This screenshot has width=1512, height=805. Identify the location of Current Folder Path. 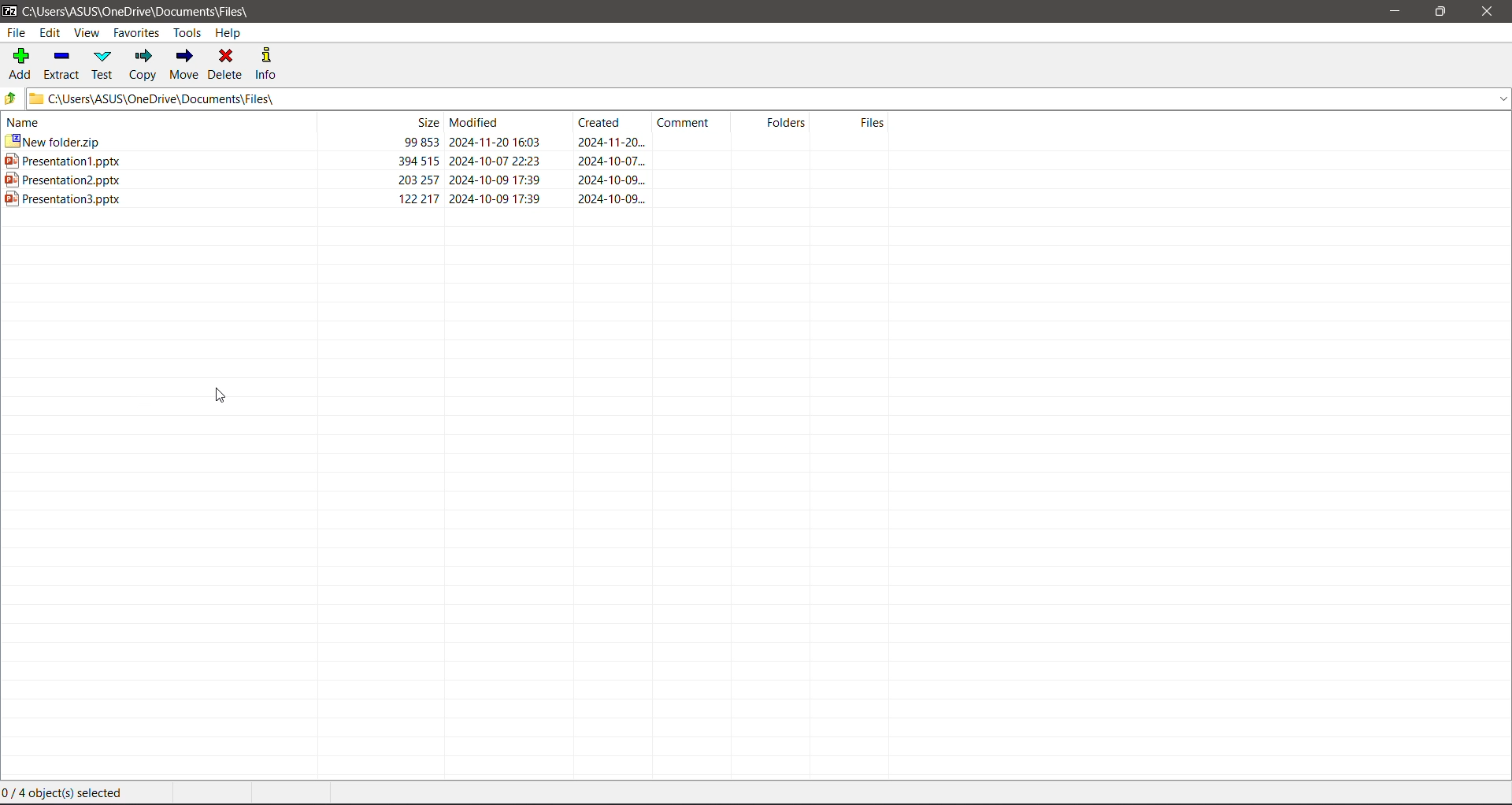
(140, 9).